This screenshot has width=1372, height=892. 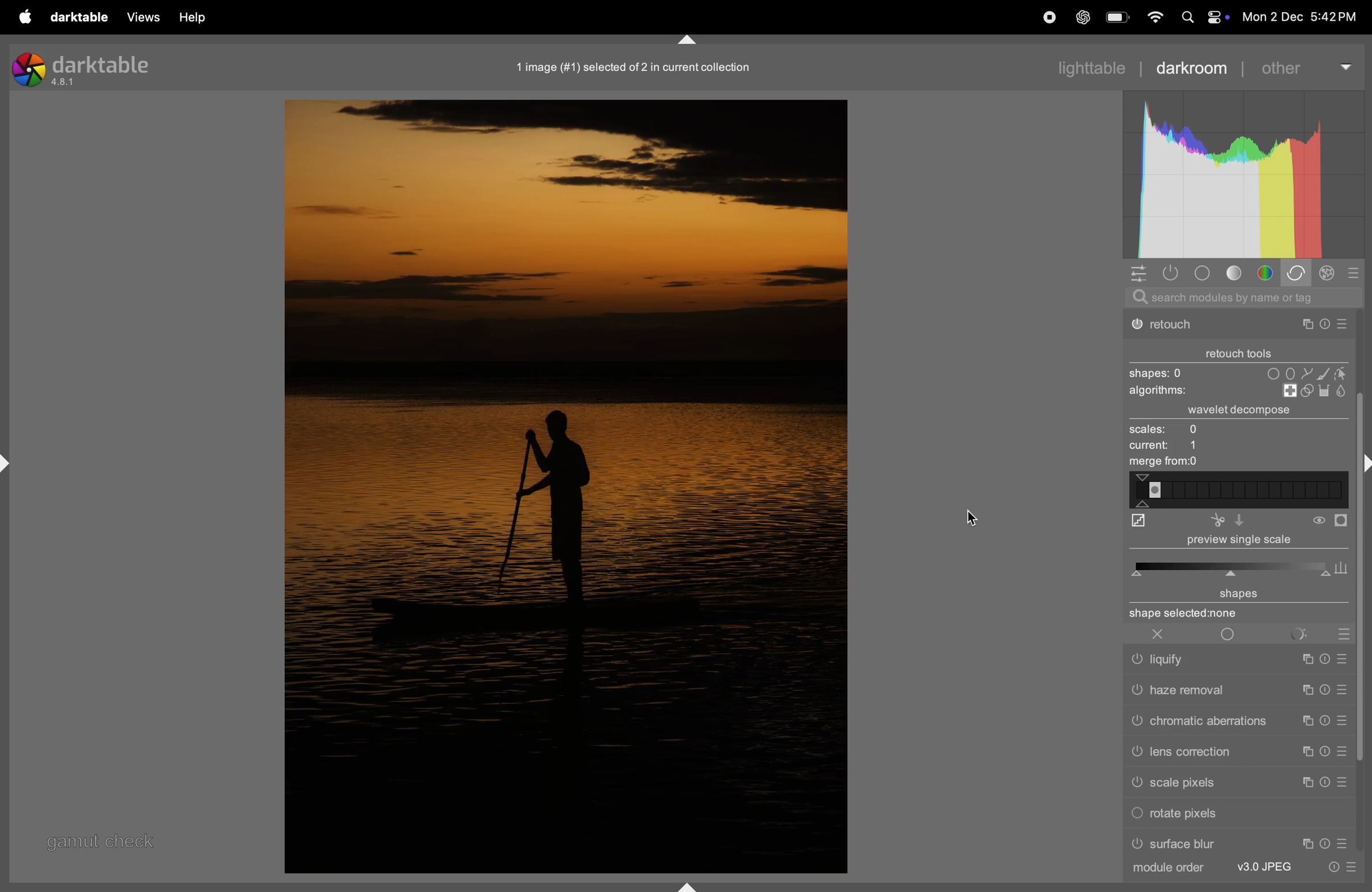 What do you see at coordinates (1242, 350) in the screenshot?
I see `retouch tools` at bounding box center [1242, 350].